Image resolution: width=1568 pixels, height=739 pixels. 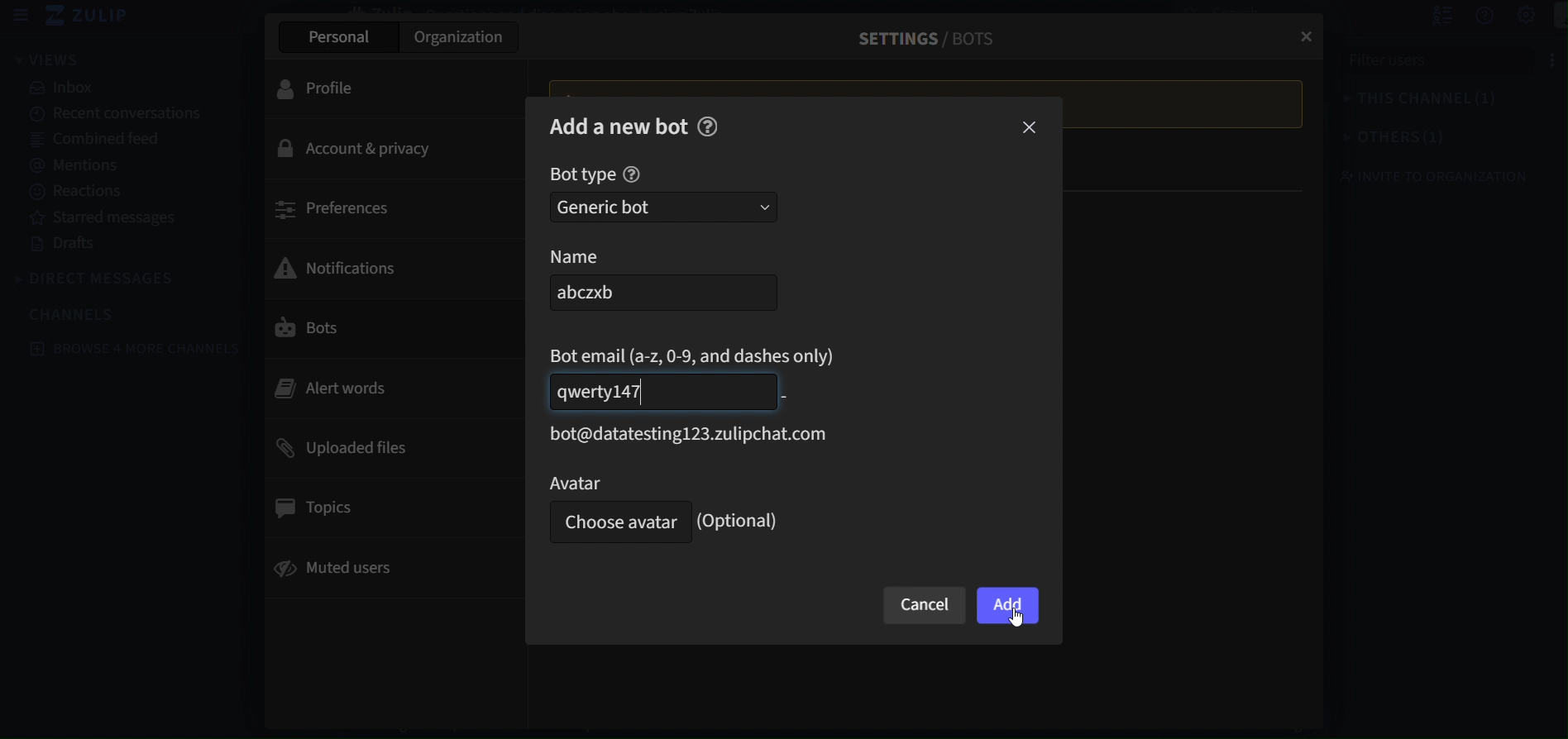 What do you see at coordinates (1419, 176) in the screenshot?
I see `invite to organization` at bounding box center [1419, 176].